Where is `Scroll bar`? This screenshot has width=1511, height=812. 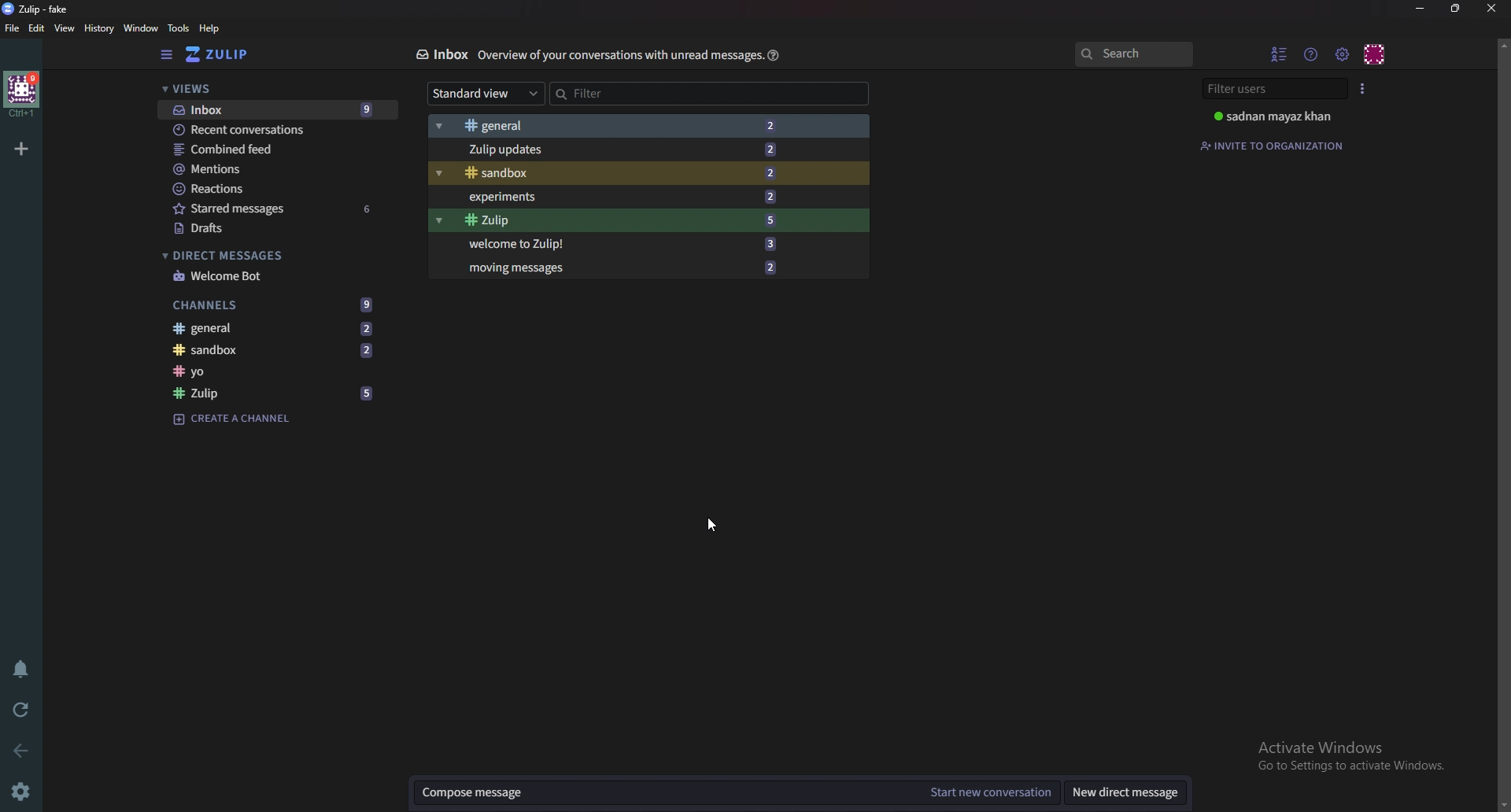
Scroll bar is located at coordinates (1503, 423).